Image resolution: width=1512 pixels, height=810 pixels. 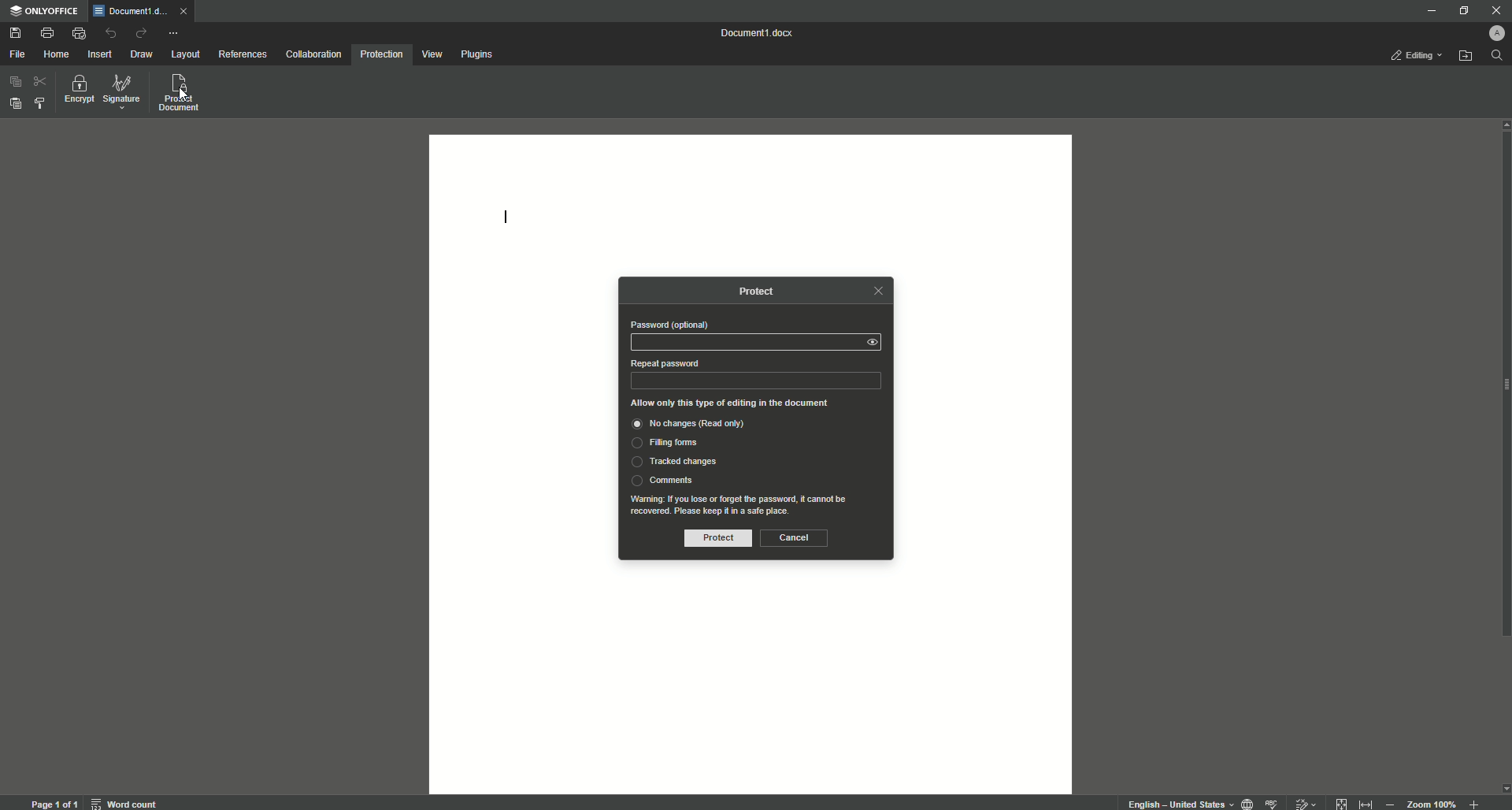 I want to click on spell checking, so click(x=1273, y=802).